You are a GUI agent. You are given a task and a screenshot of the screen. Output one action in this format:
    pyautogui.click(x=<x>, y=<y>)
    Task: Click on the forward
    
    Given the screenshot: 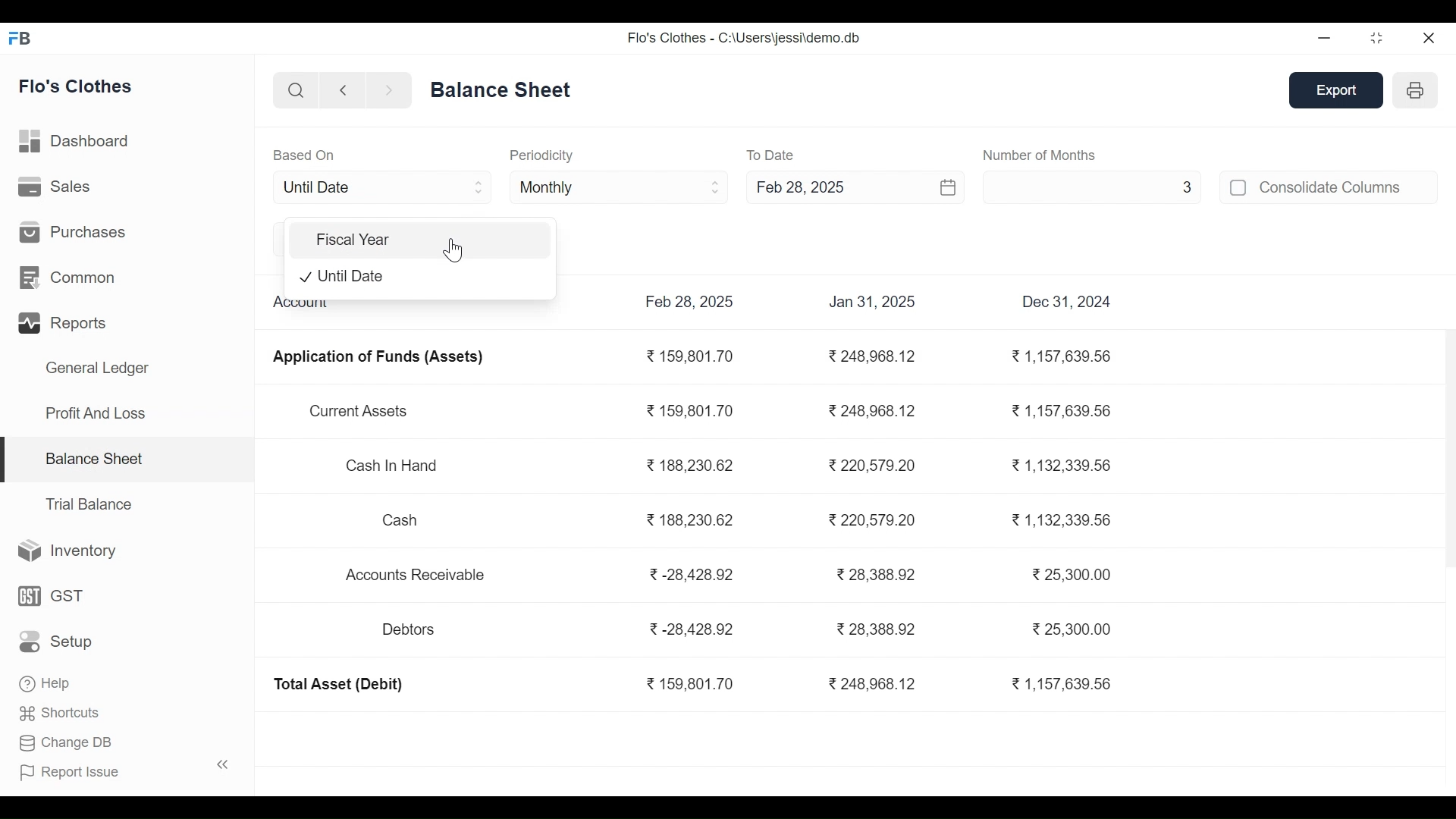 What is the action you would take?
    pyautogui.click(x=389, y=91)
    